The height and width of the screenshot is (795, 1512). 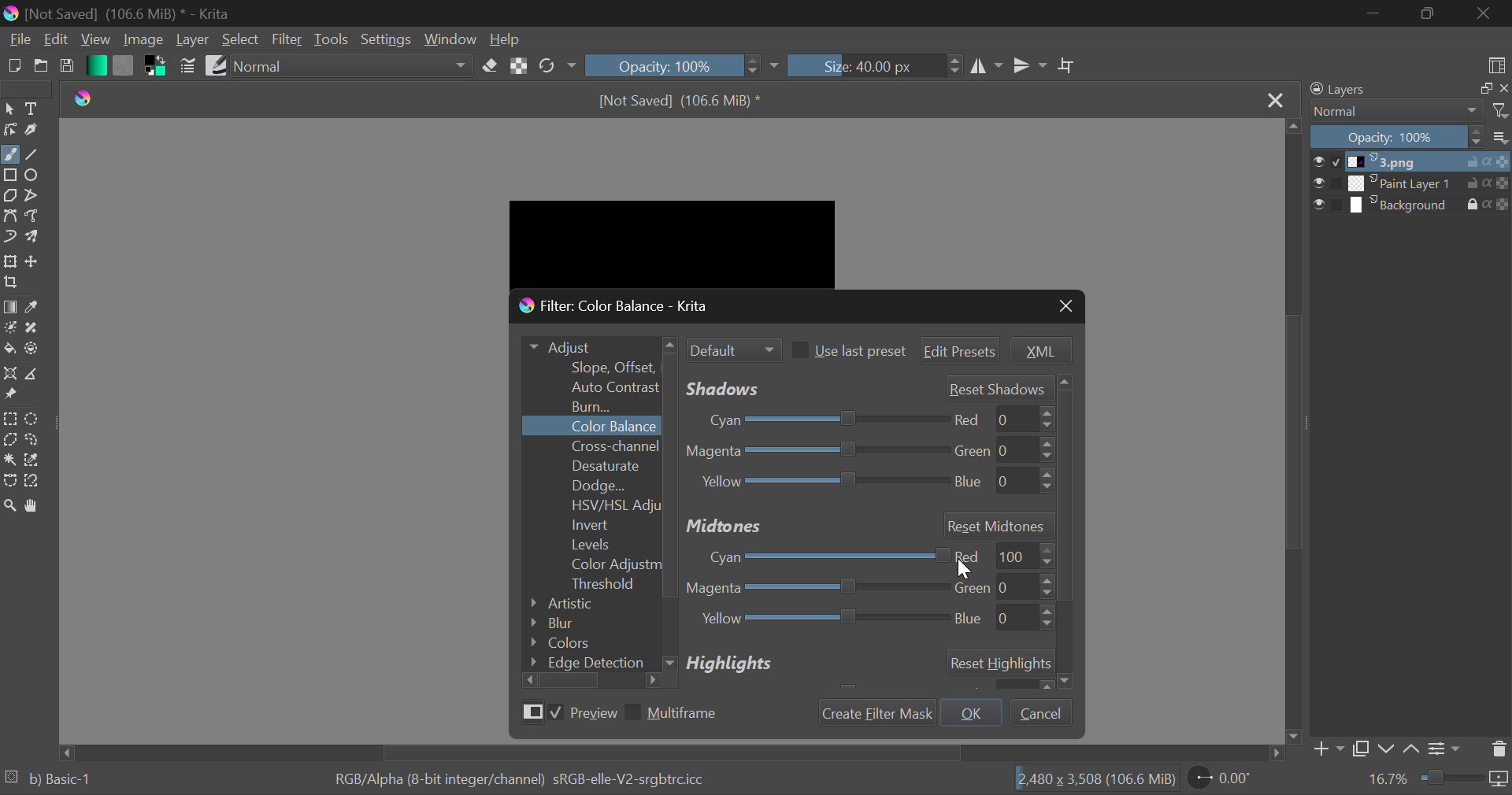 What do you see at coordinates (987, 65) in the screenshot?
I see `Vertical Mirror Flip` at bounding box center [987, 65].